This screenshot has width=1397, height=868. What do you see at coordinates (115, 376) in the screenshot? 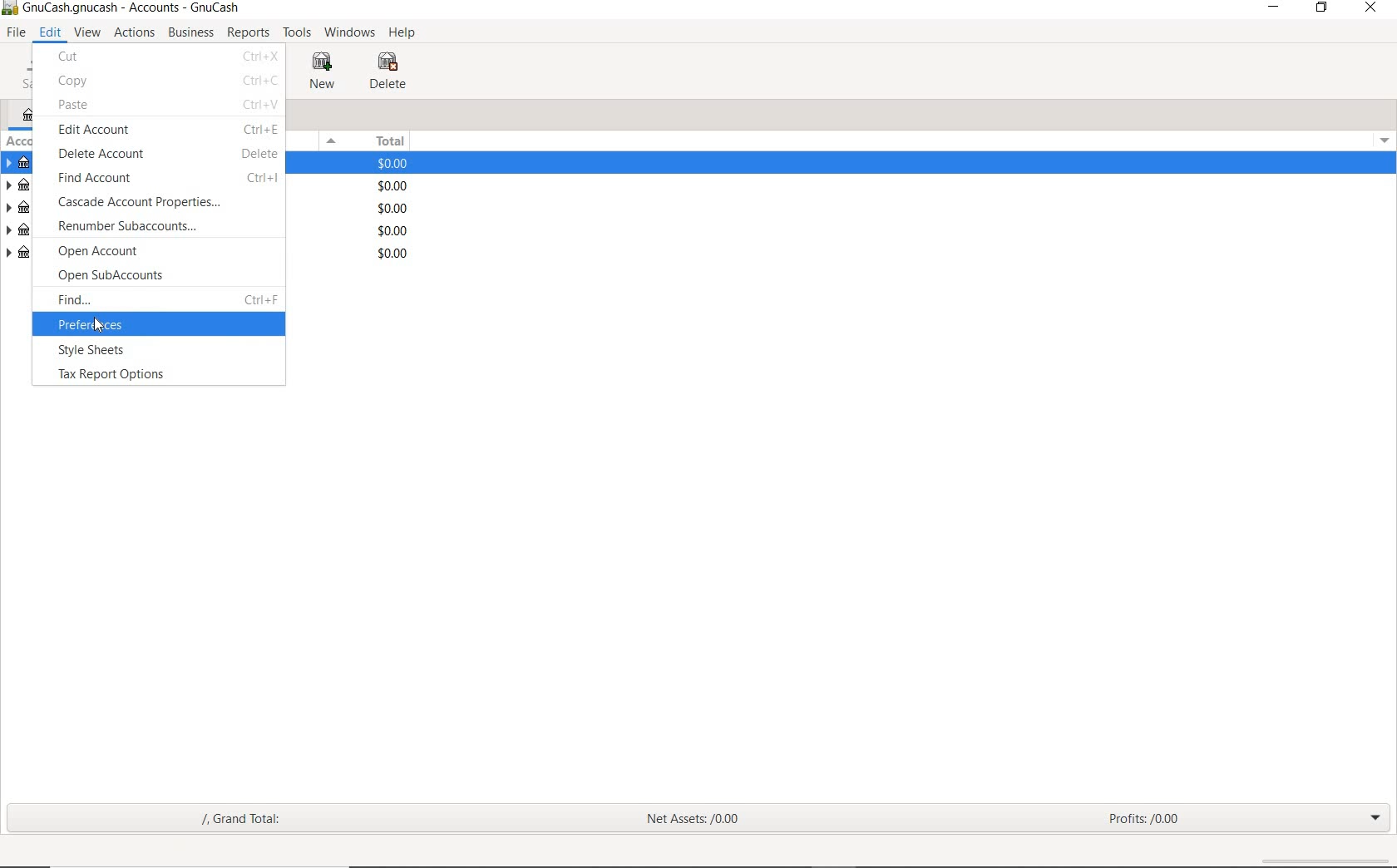
I see `tax report options` at bounding box center [115, 376].